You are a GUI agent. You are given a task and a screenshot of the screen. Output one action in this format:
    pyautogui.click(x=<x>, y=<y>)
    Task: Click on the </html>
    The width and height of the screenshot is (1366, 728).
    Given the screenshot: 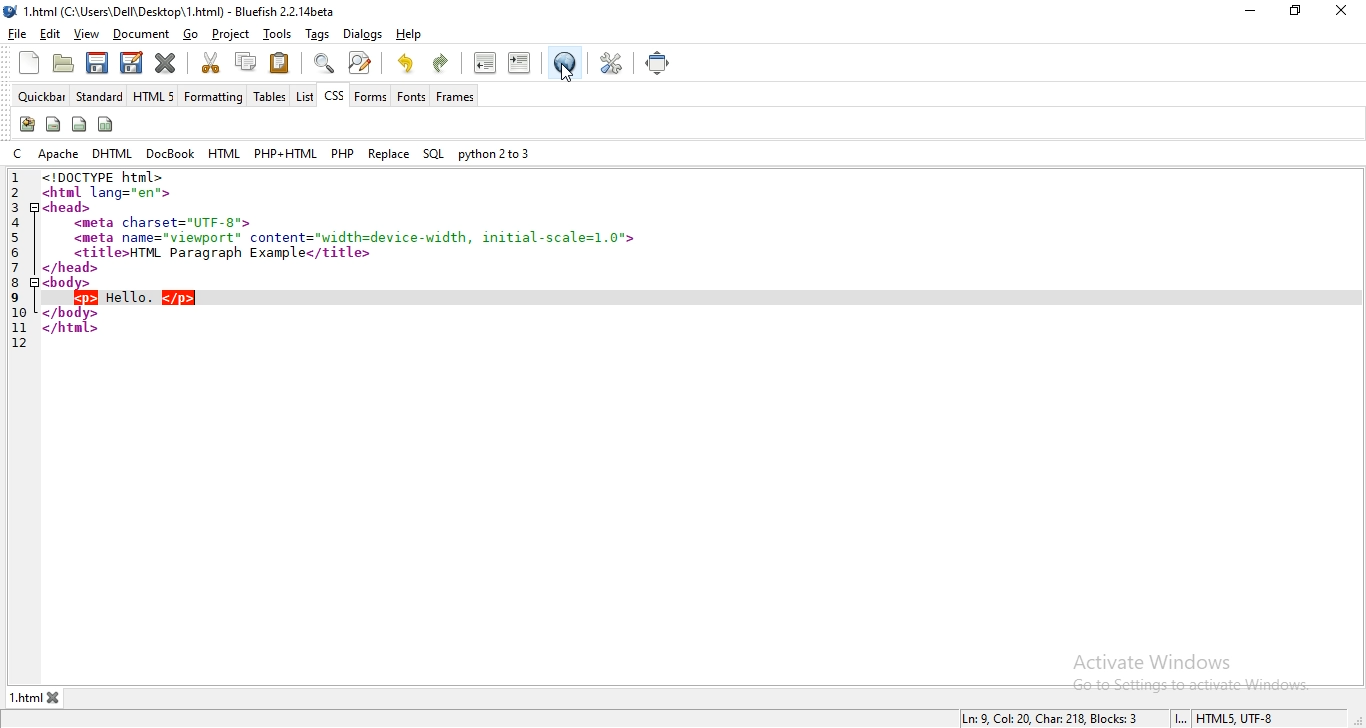 What is the action you would take?
    pyautogui.click(x=70, y=329)
    